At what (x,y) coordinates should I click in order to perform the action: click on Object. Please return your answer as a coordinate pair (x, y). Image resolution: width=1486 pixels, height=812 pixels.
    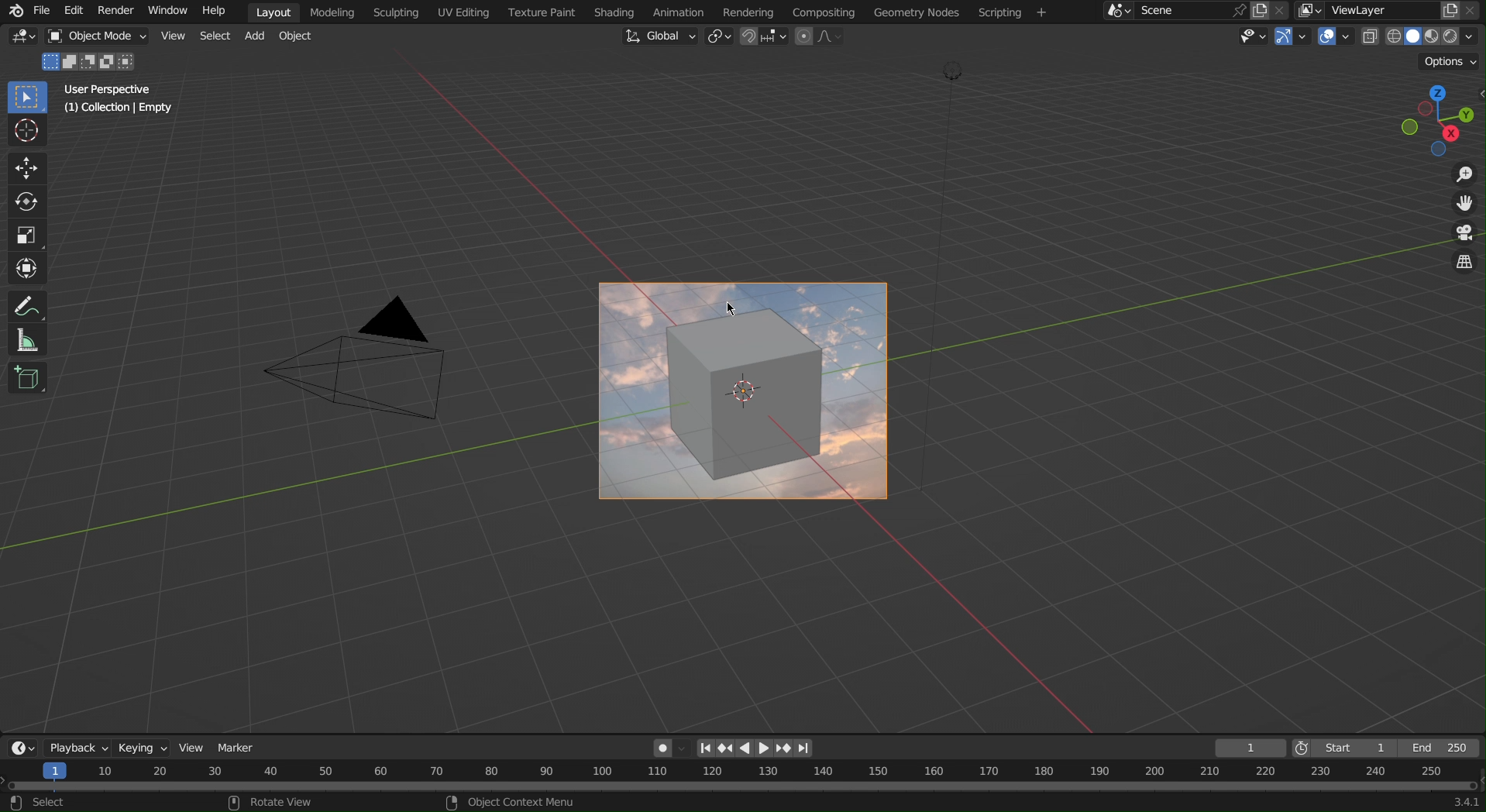
    Looking at the image, I should click on (301, 40).